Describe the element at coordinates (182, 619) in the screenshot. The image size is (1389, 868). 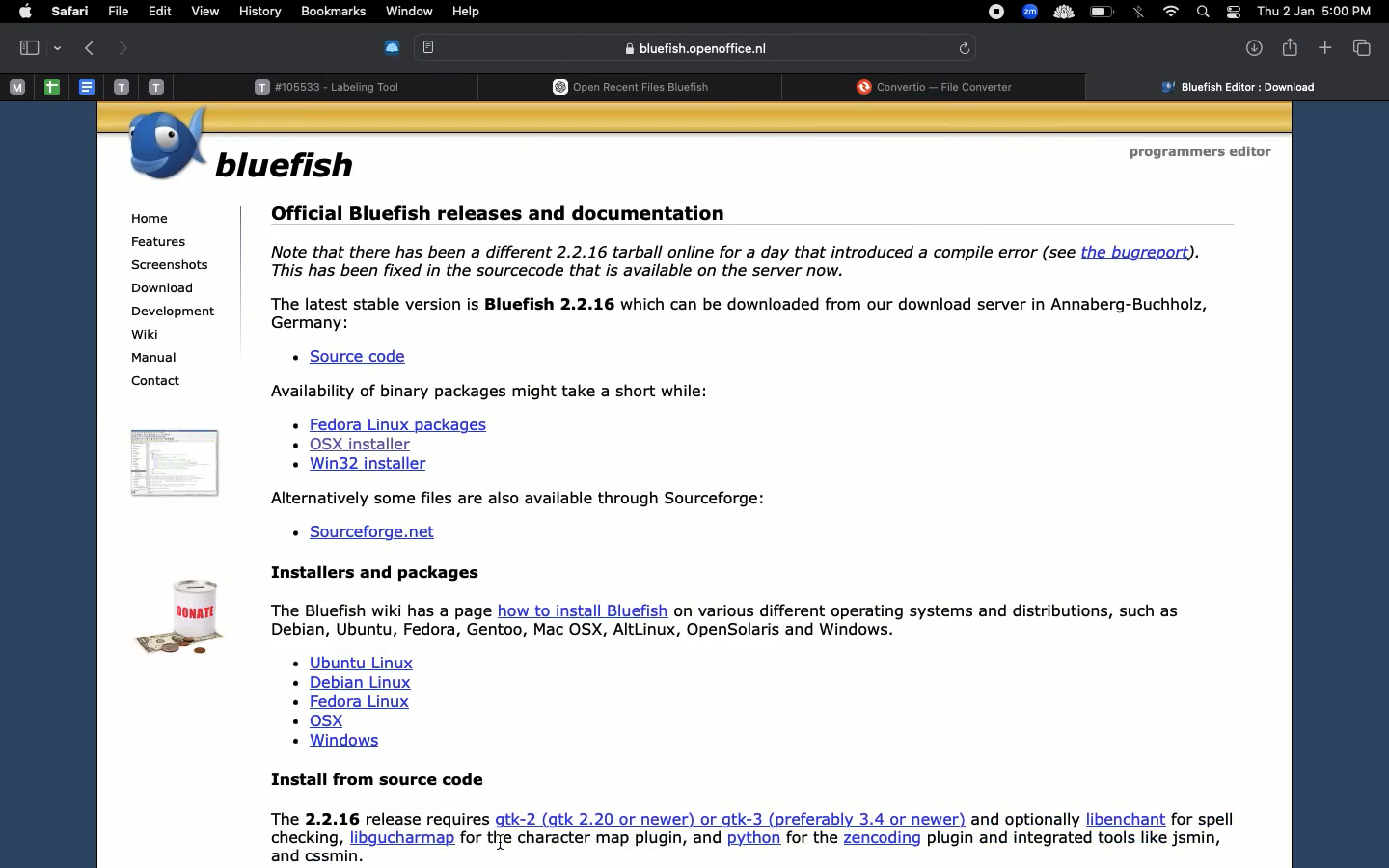
I see `logo` at that location.